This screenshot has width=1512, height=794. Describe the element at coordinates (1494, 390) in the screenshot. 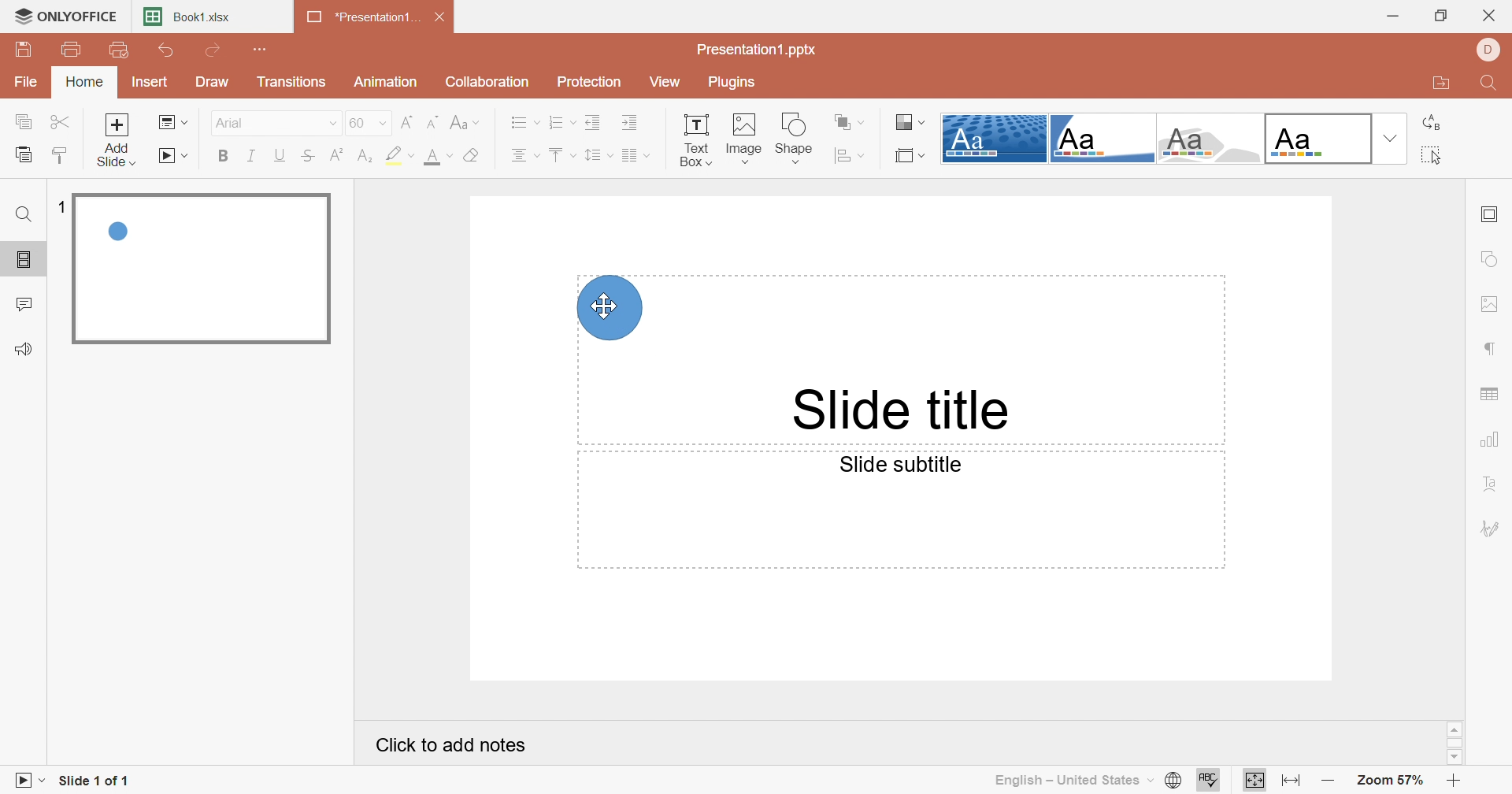

I see `Table settings` at that location.